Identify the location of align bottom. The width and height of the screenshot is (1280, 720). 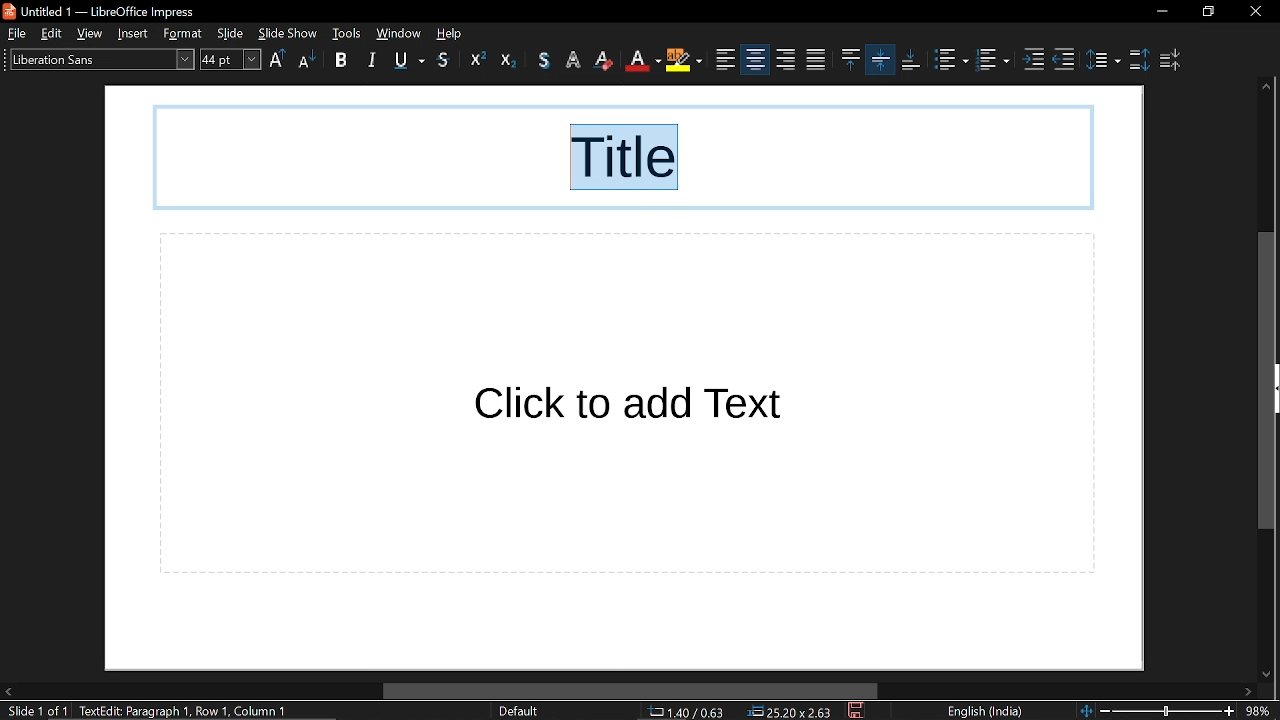
(911, 60).